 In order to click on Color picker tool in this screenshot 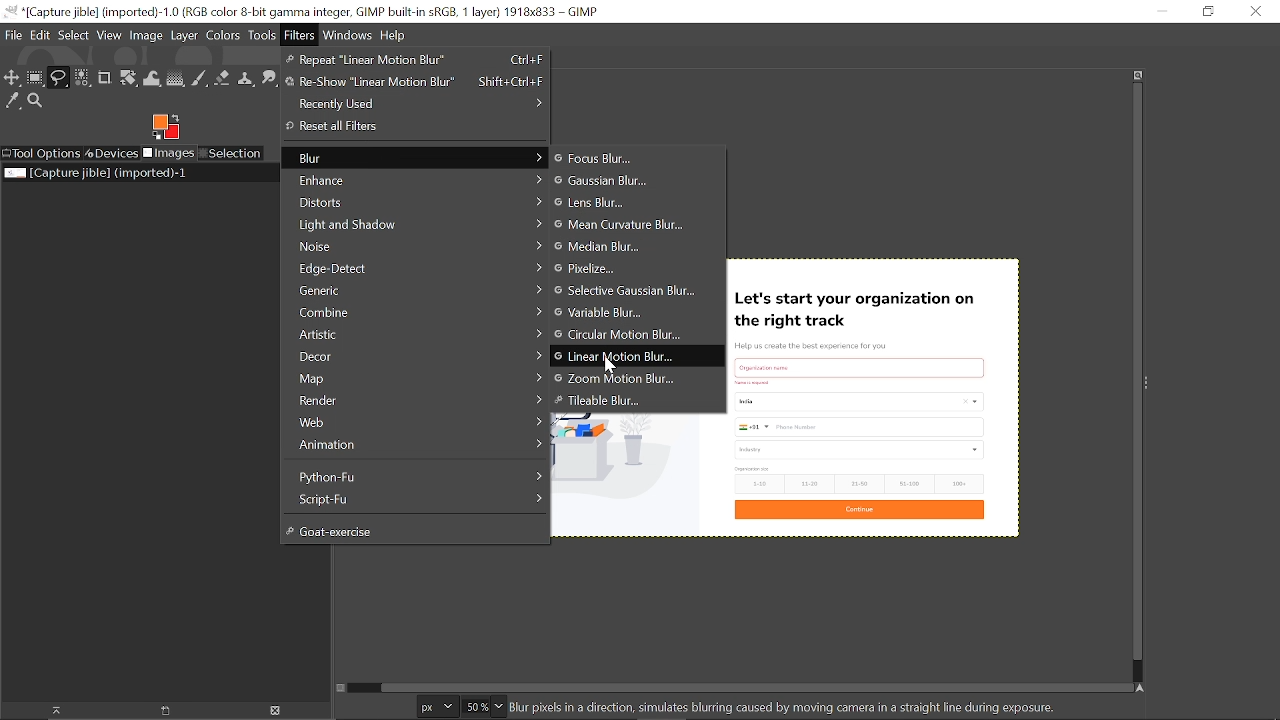, I will do `click(13, 102)`.